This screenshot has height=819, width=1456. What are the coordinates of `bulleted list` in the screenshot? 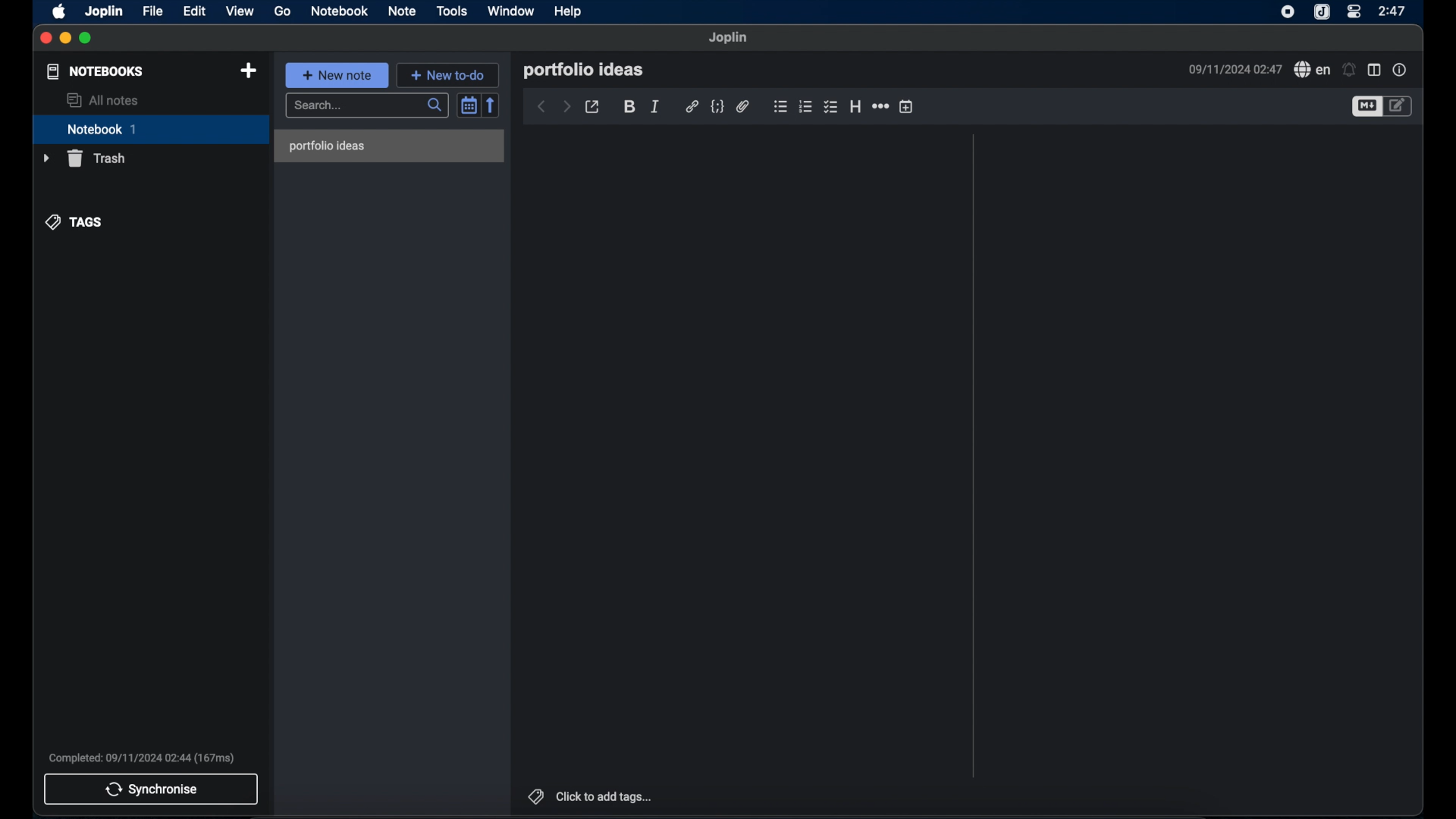 It's located at (780, 106).